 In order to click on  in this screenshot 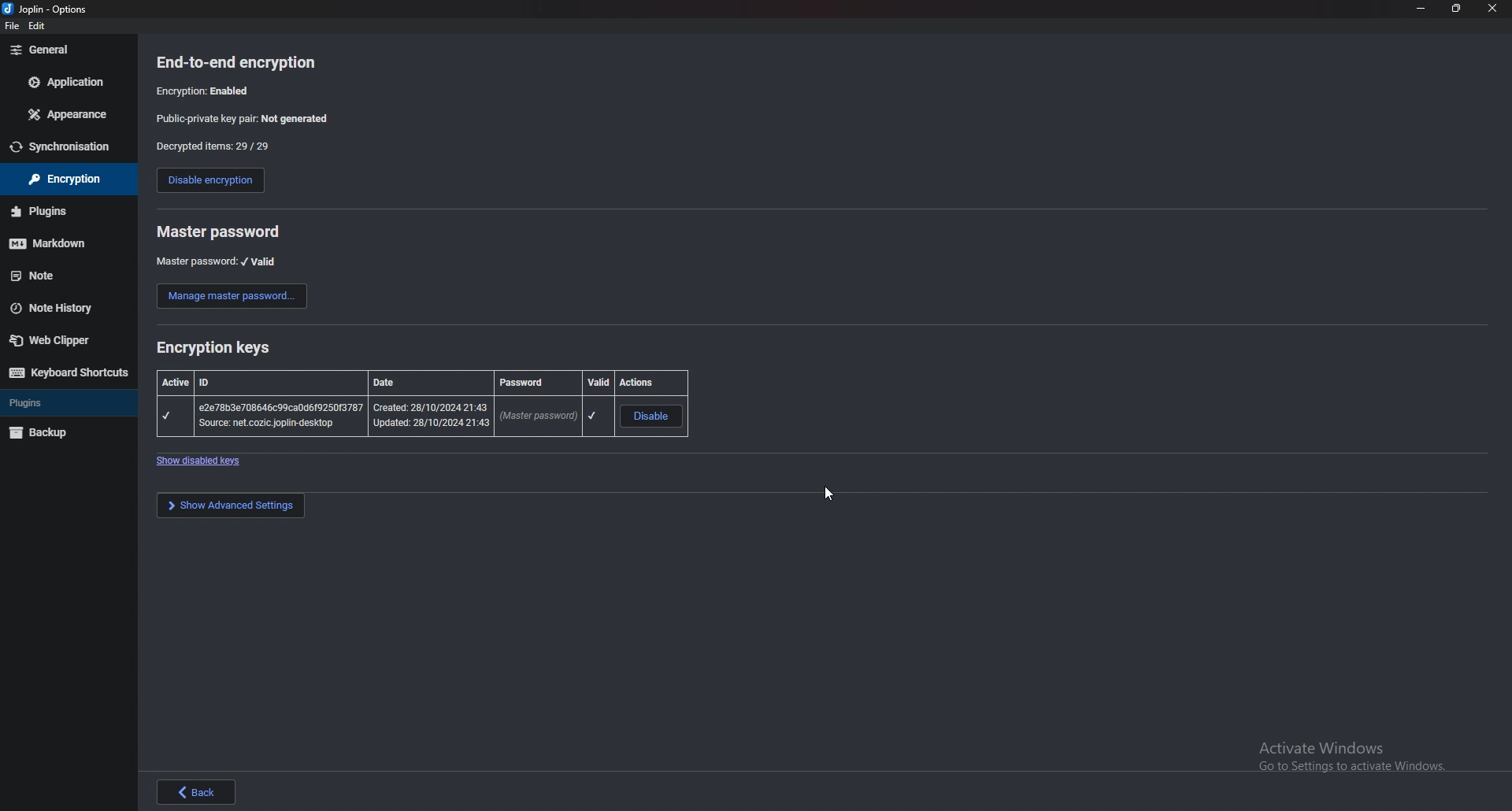, I will do `click(44, 435)`.